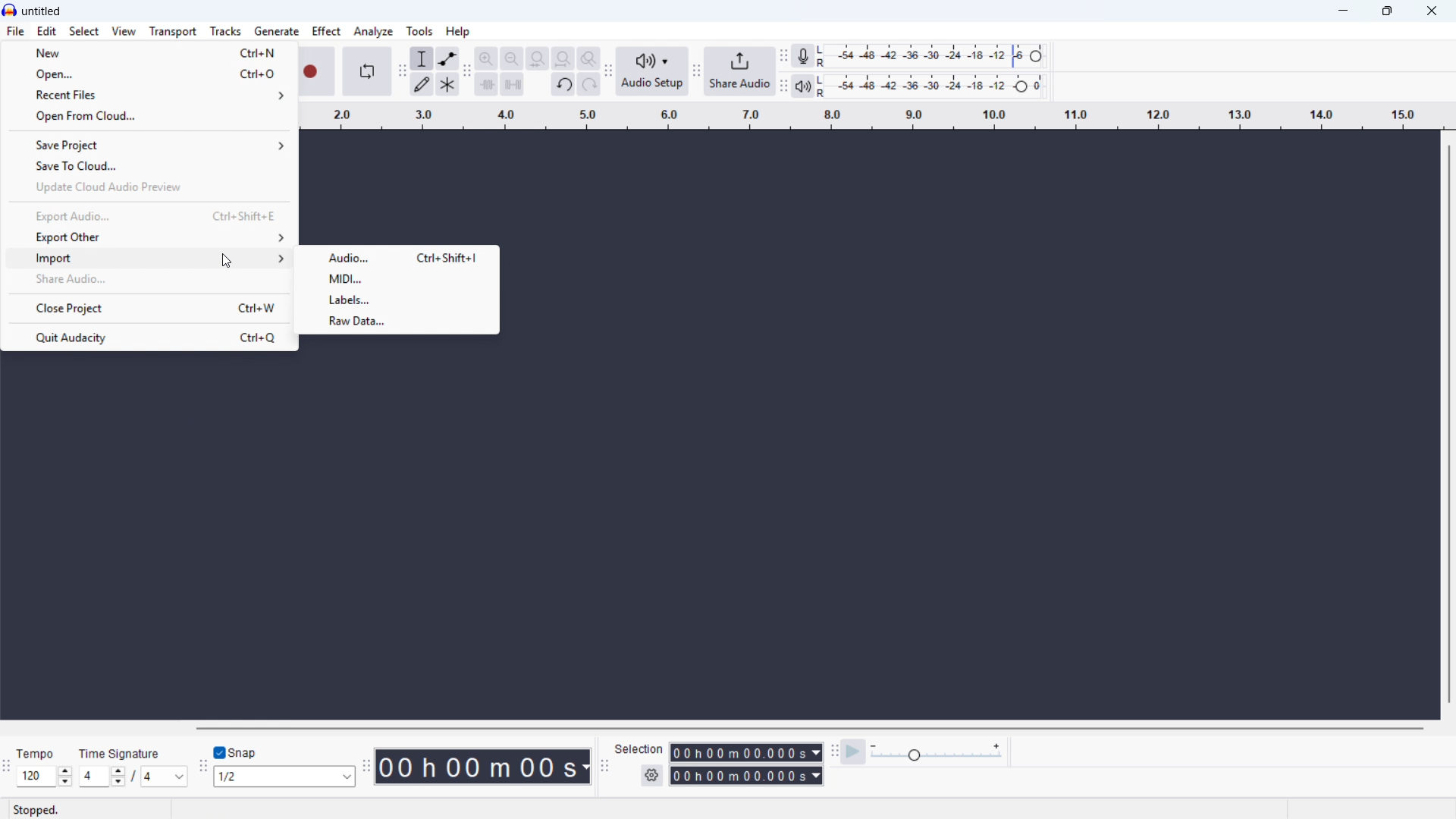 The width and height of the screenshot is (1456, 819). I want to click on Set time signature , so click(134, 777).